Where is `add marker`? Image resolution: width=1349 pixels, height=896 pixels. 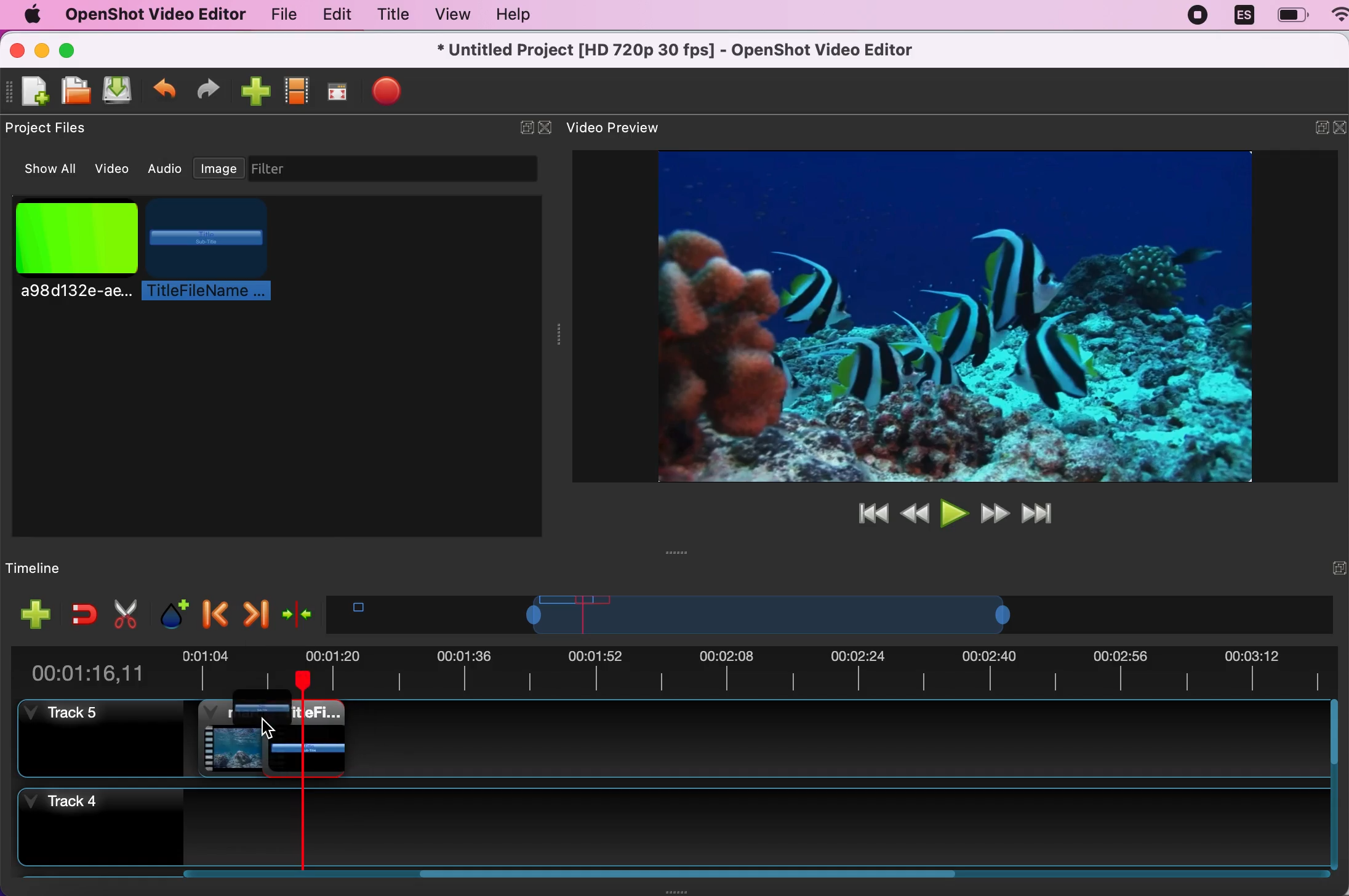 add marker is located at coordinates (169, 612).